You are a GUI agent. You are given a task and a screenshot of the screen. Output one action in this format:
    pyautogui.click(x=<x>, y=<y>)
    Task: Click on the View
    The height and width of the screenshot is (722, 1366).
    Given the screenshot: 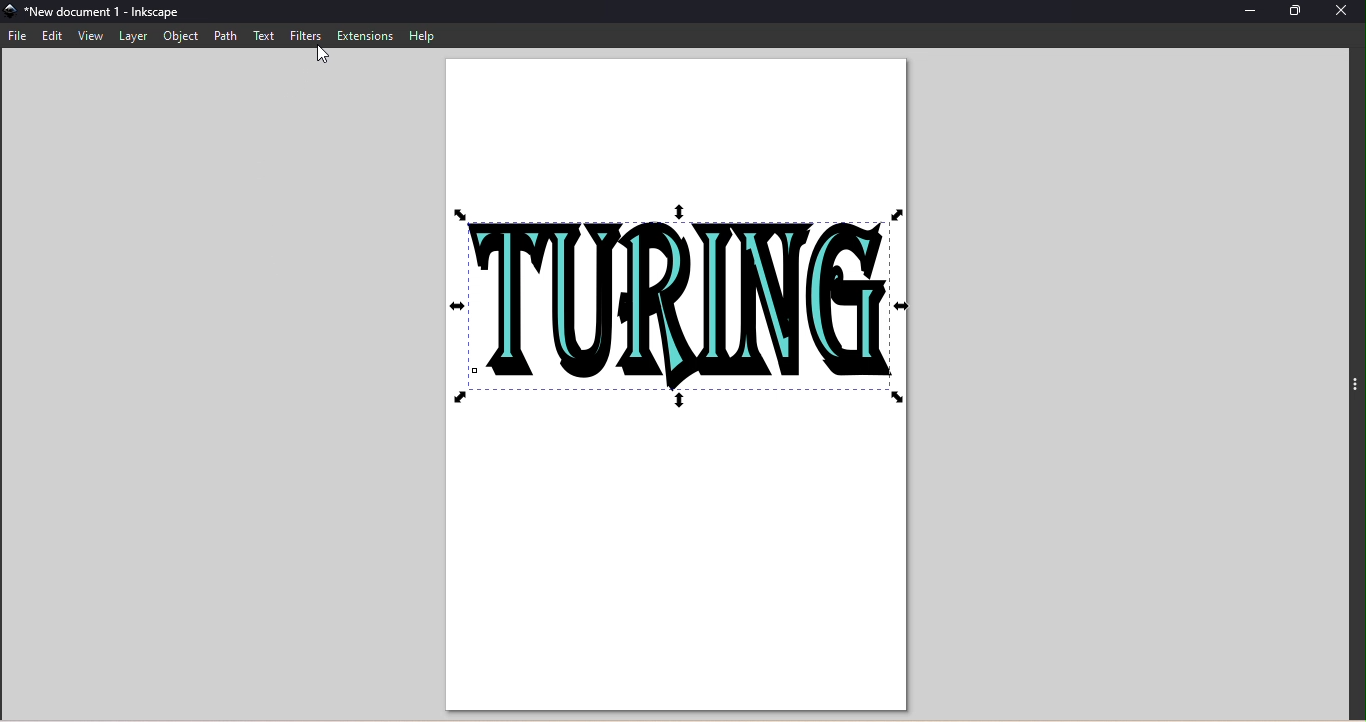 What is the action you would take?
    pyautogui.click(x=91, y=36)
    